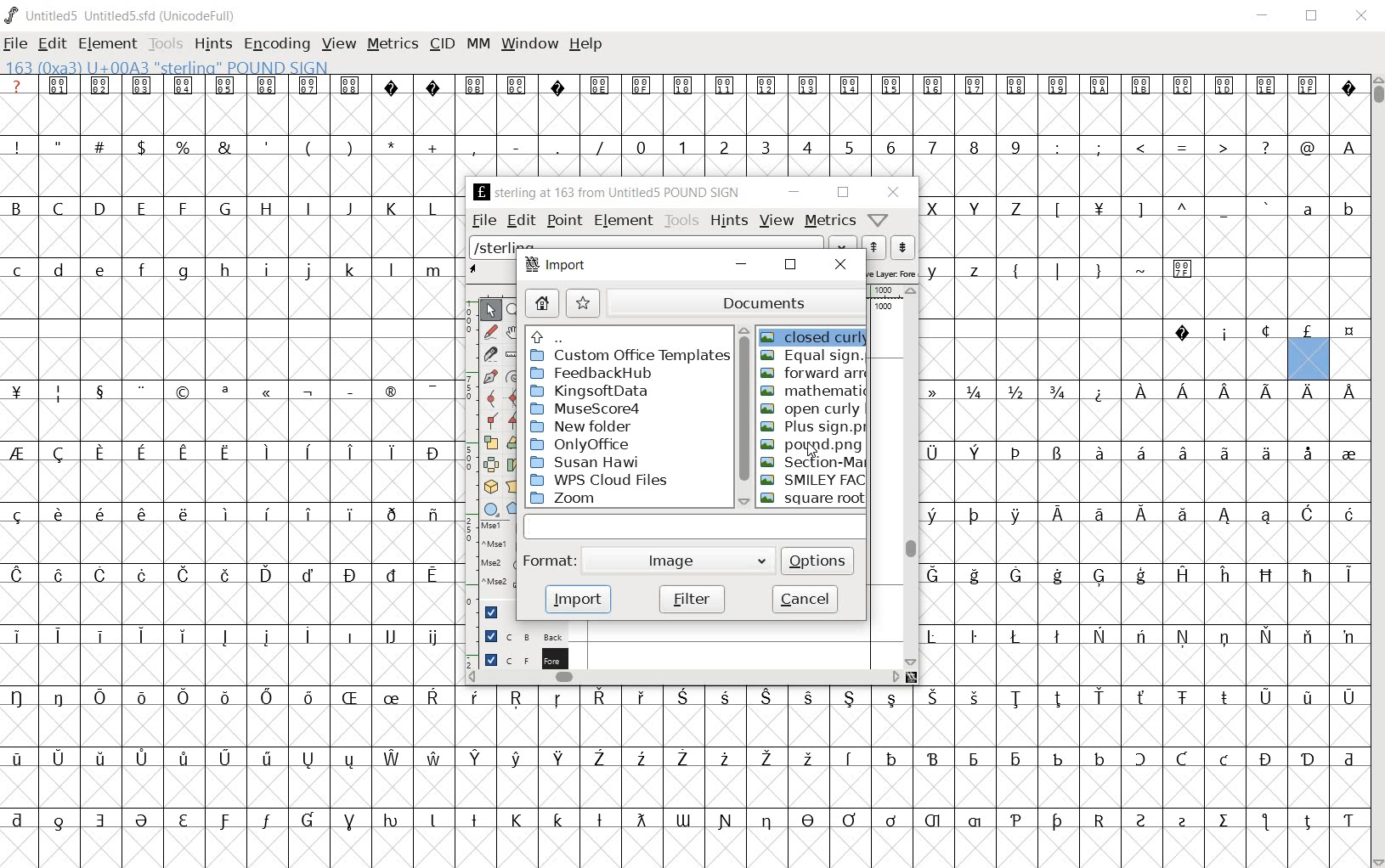 Image resolution: width=1385 pixels, height=868 pixels. What do you see at coordinates (20, 515) in the screenshot?
I see `Symbol` at bounding box center [20, 515].